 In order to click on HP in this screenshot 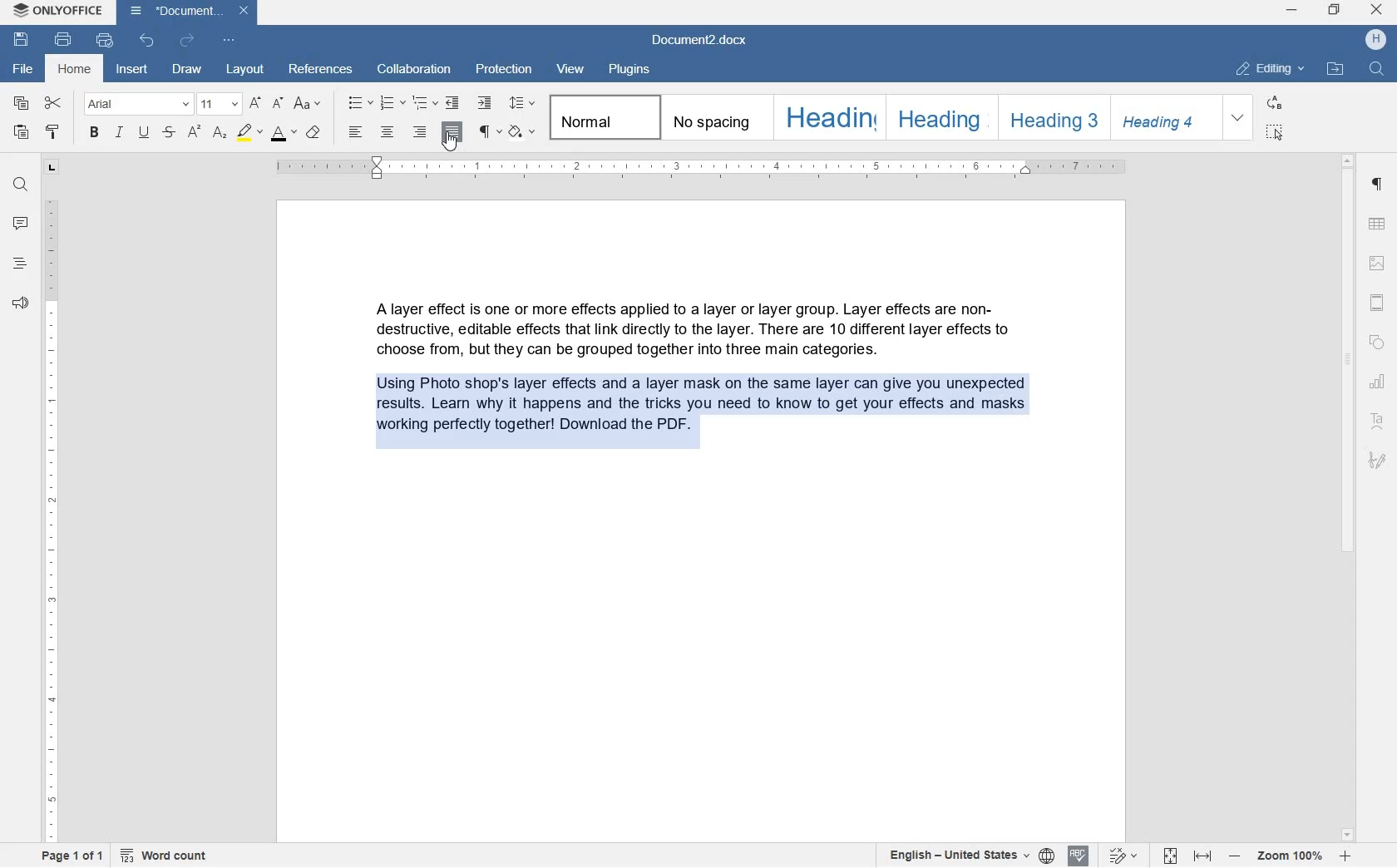, I will do `click(1375, 42)`.